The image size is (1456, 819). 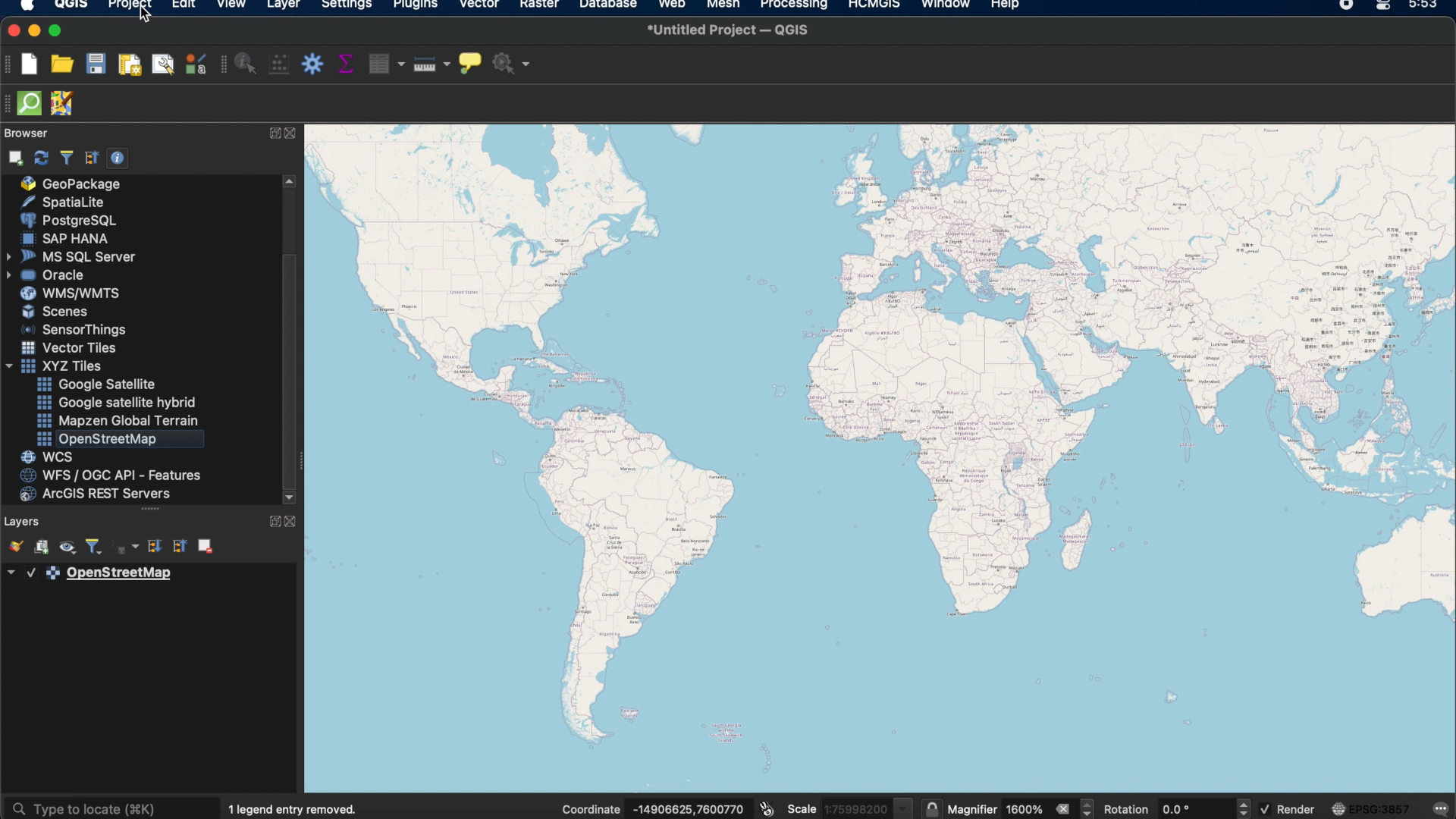 What do you see at coordinates (607, 6) in the screenshot?
I see `database` at bounding box center [607, 6].